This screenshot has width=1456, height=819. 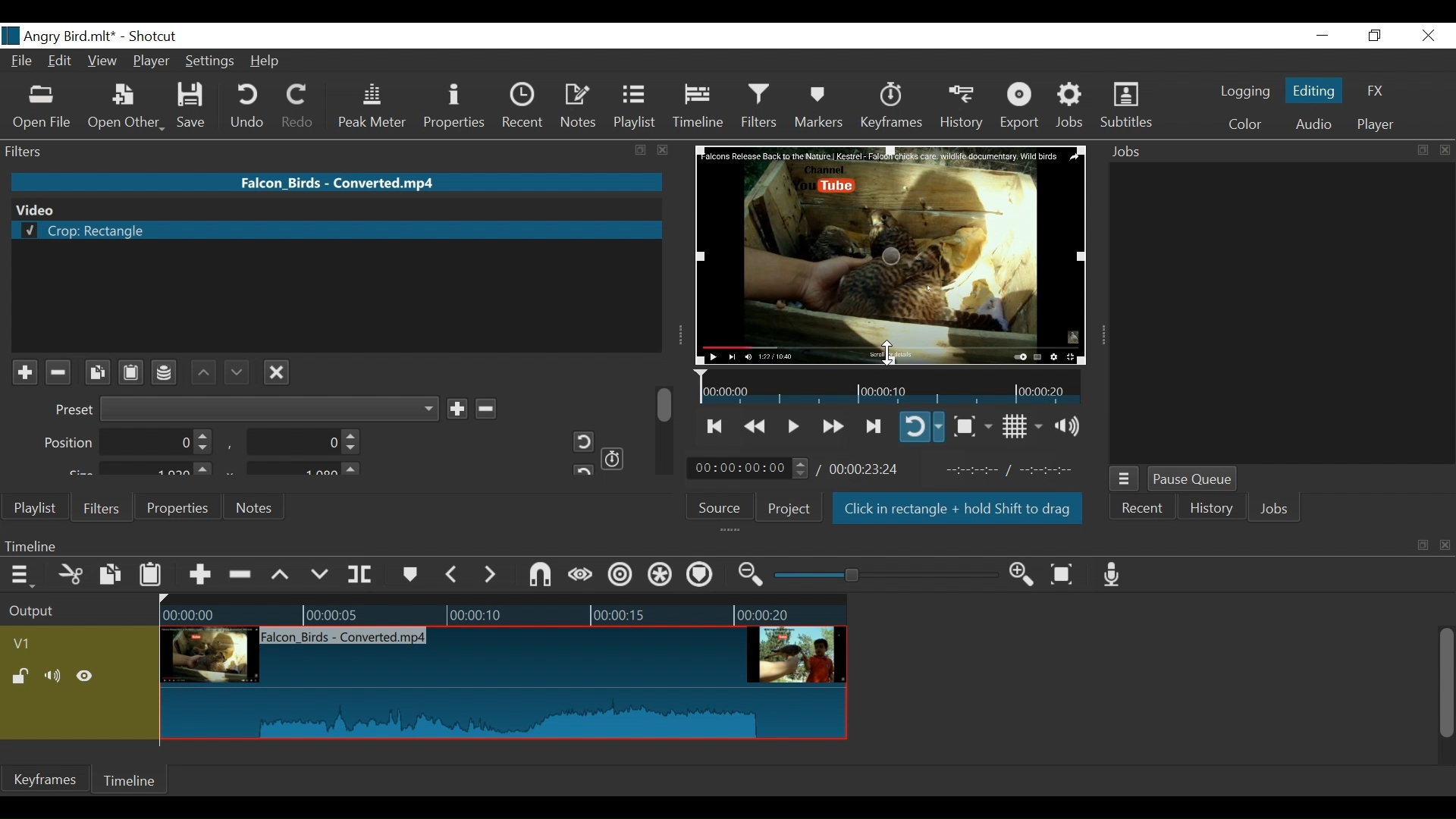 What do you see at coordinates (1245, 93) in the screenshot?
I see `logging` at bounding box center [1245, 93].